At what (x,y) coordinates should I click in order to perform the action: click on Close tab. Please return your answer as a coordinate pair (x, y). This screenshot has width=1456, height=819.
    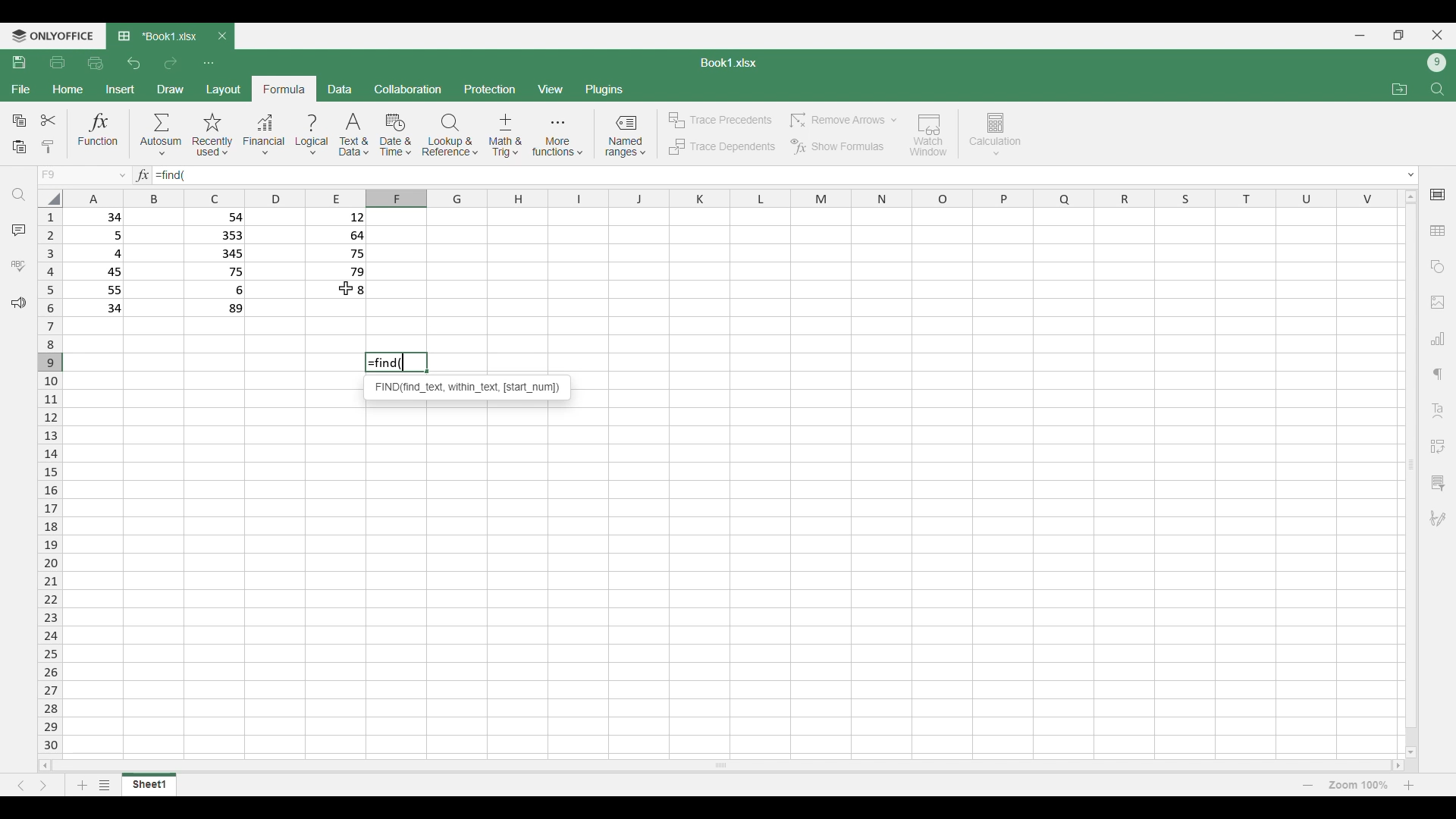
    Looking at the image, I should click on (223, 36).